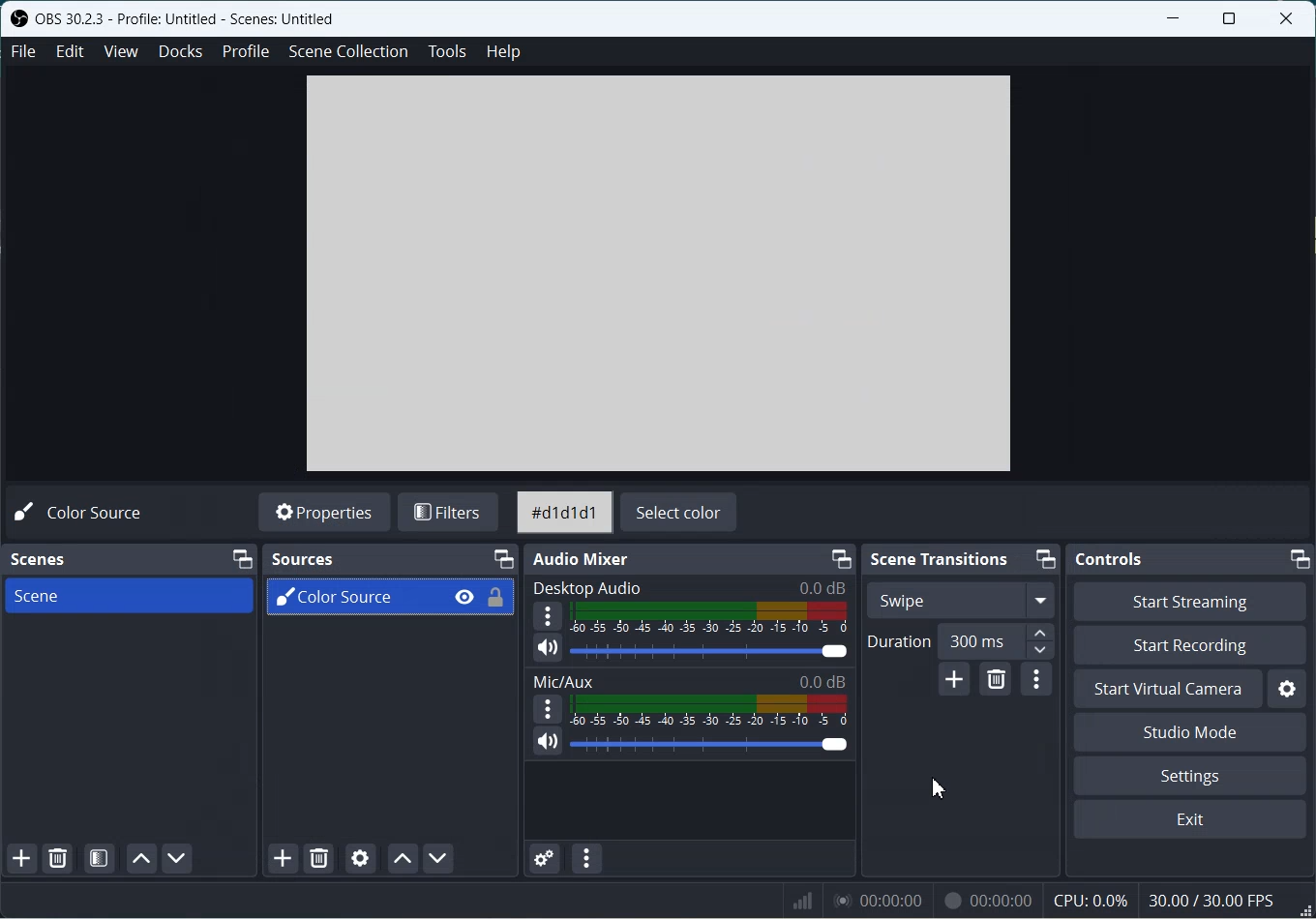 This screenshot has width=1316, height=919. I want to click on #d1d1d1, so click(566, 513).